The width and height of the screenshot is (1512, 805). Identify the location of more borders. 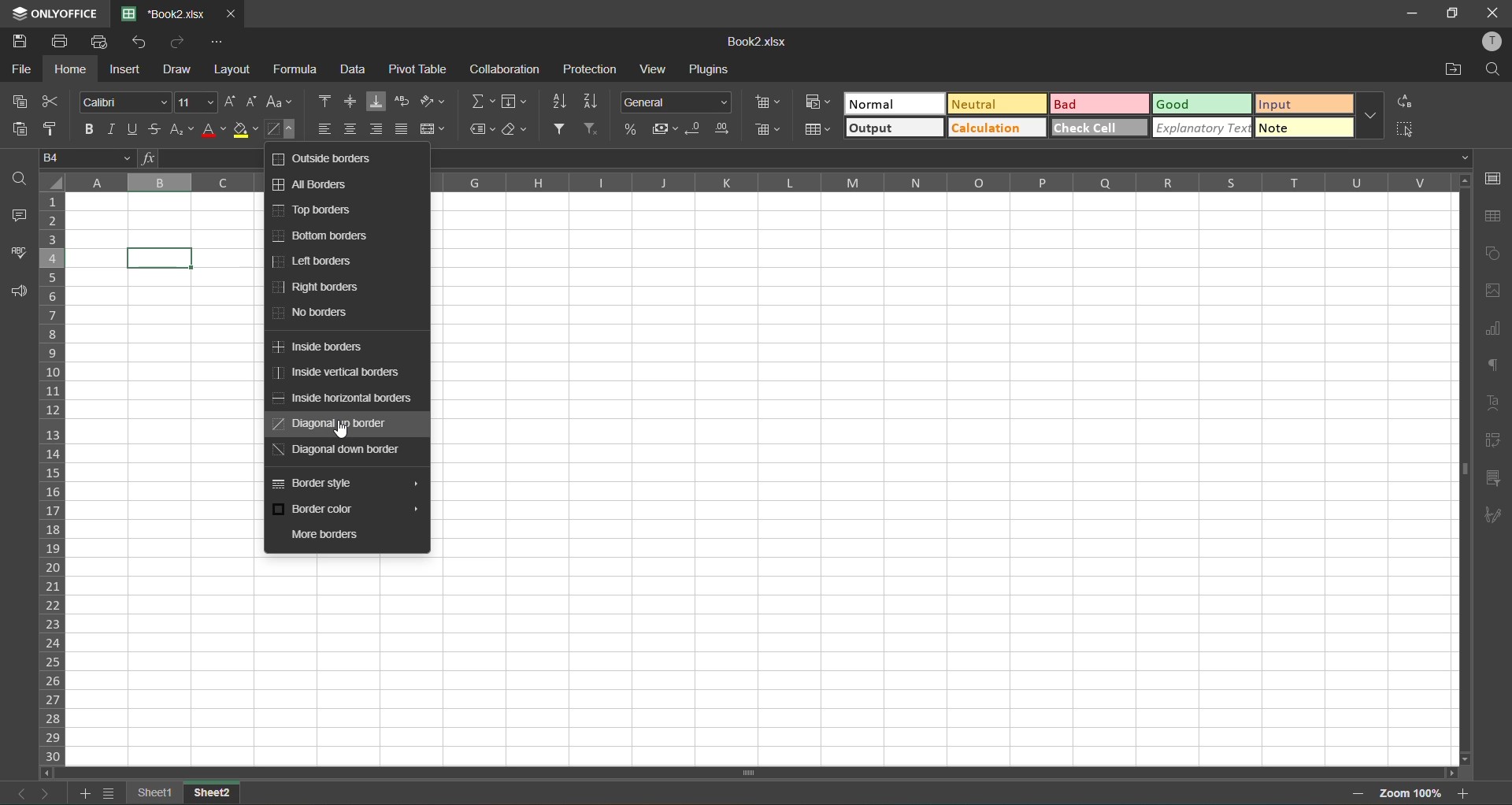
(330, 536).